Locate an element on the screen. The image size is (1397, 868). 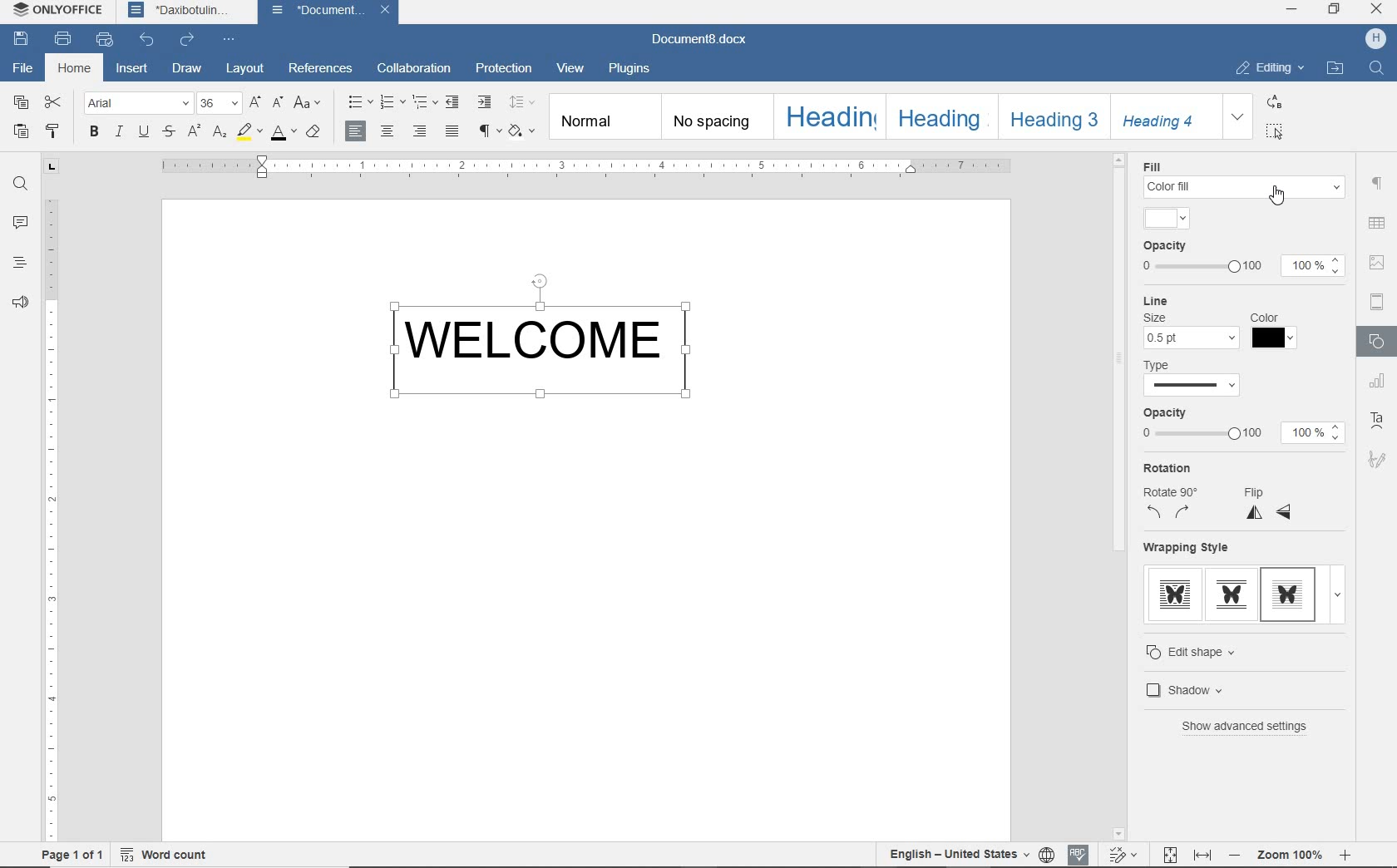
QUICK PRINT is located at coordinates (103, 40).